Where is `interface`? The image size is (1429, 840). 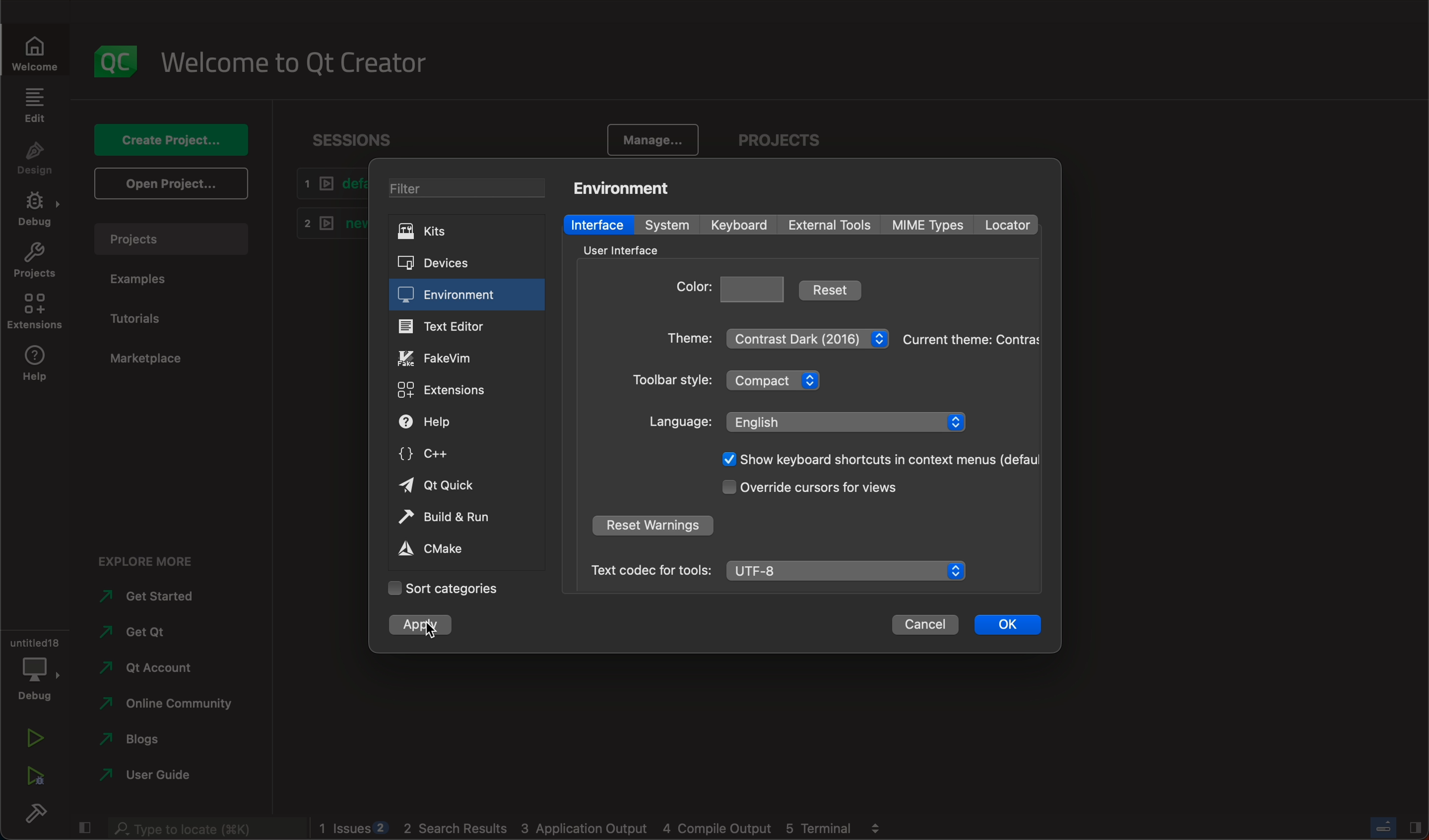 interface is located at coordinates (597, 224).